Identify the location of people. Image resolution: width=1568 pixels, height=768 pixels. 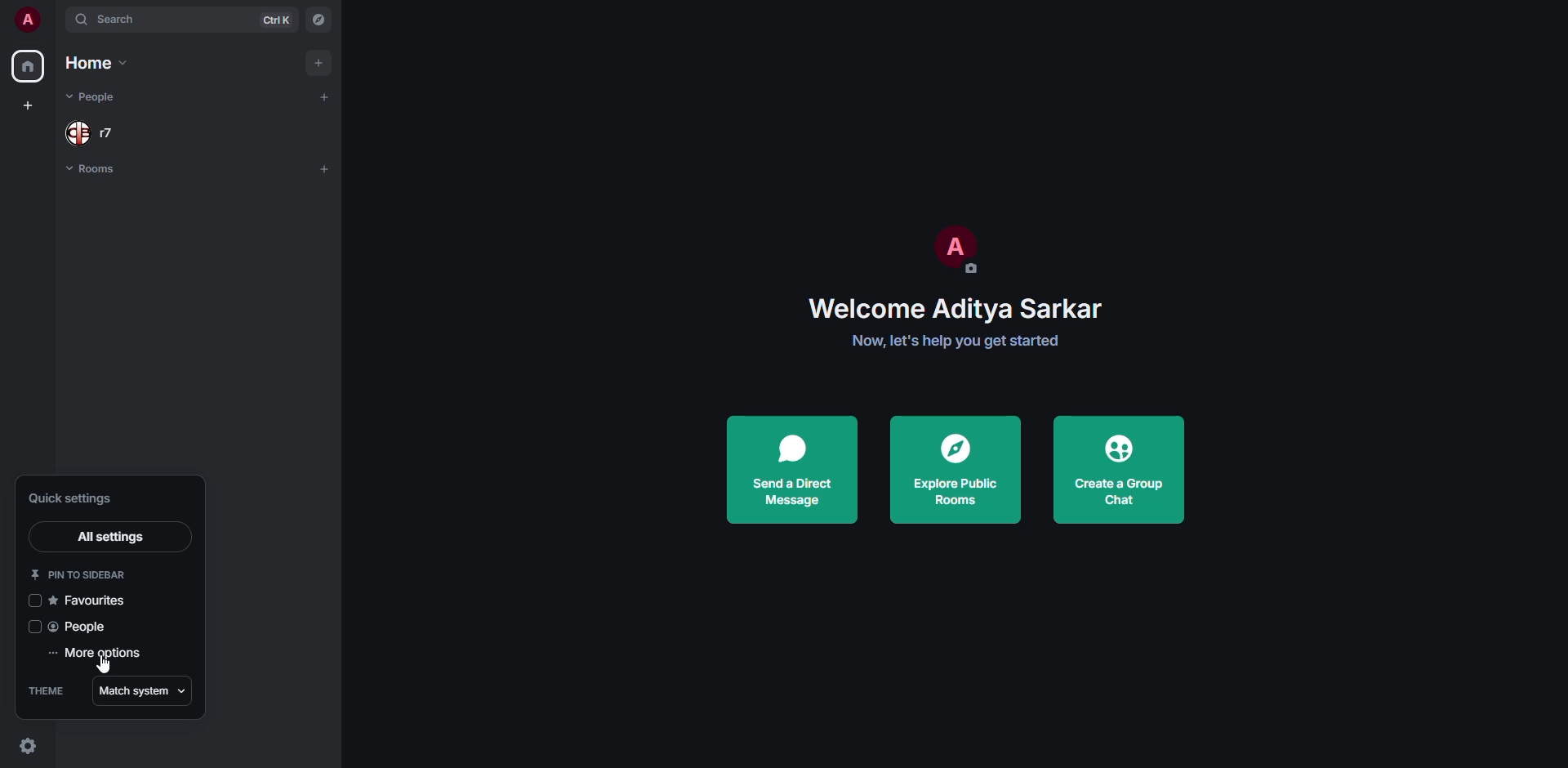
(82, 627).